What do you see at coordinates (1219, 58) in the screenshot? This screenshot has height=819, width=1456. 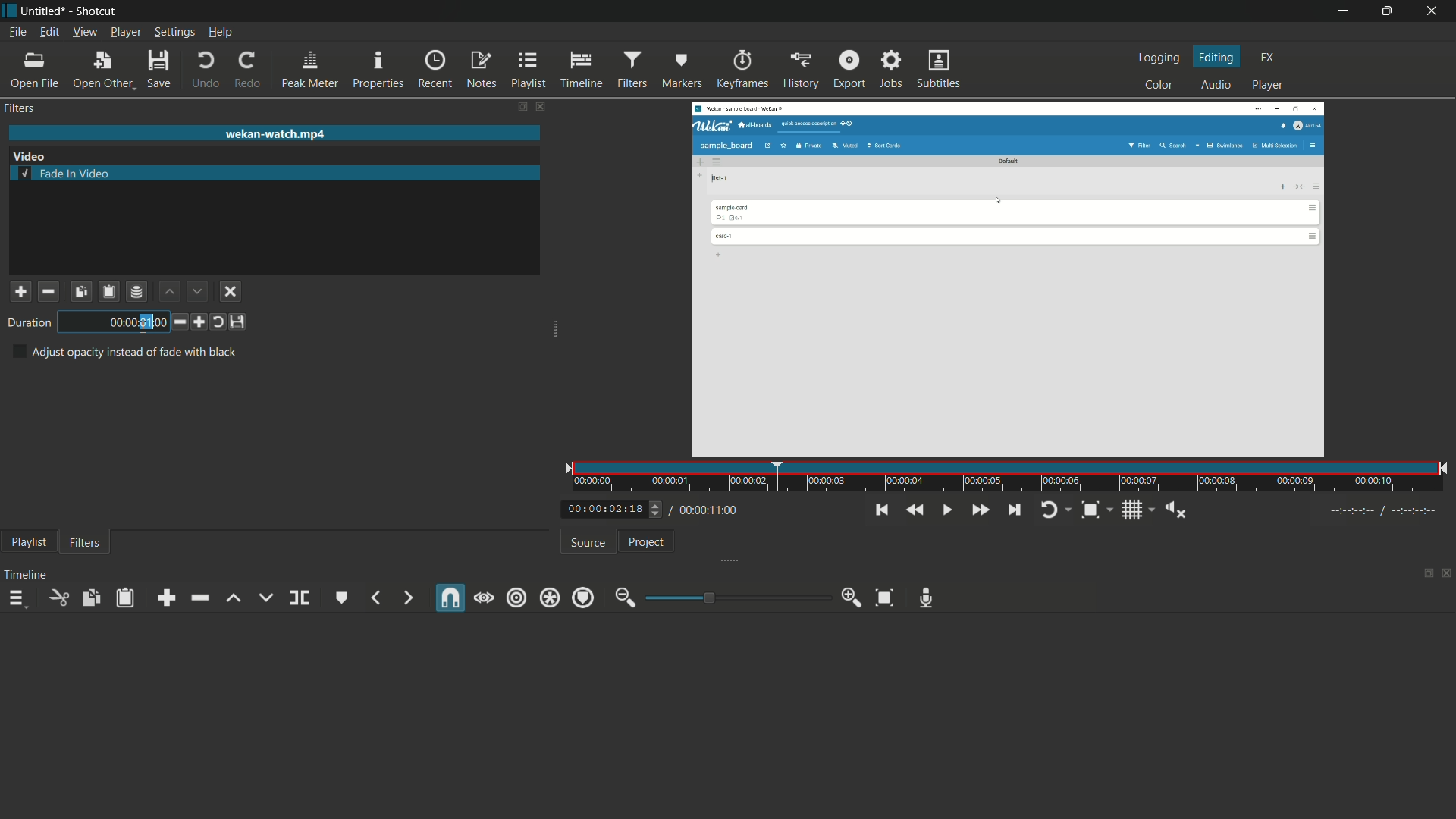 I see `editing` at bounding box center [1219, 58].